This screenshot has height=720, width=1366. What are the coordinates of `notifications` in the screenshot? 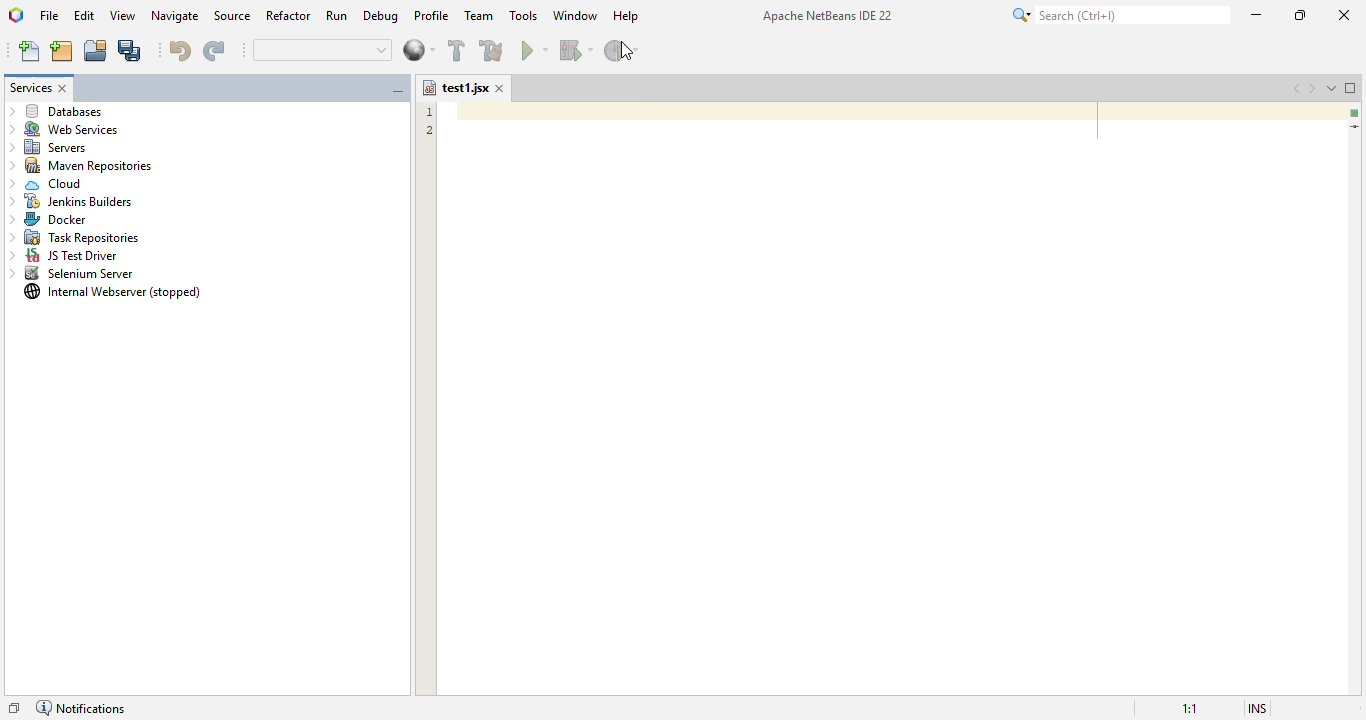 It's located at (83, 706).